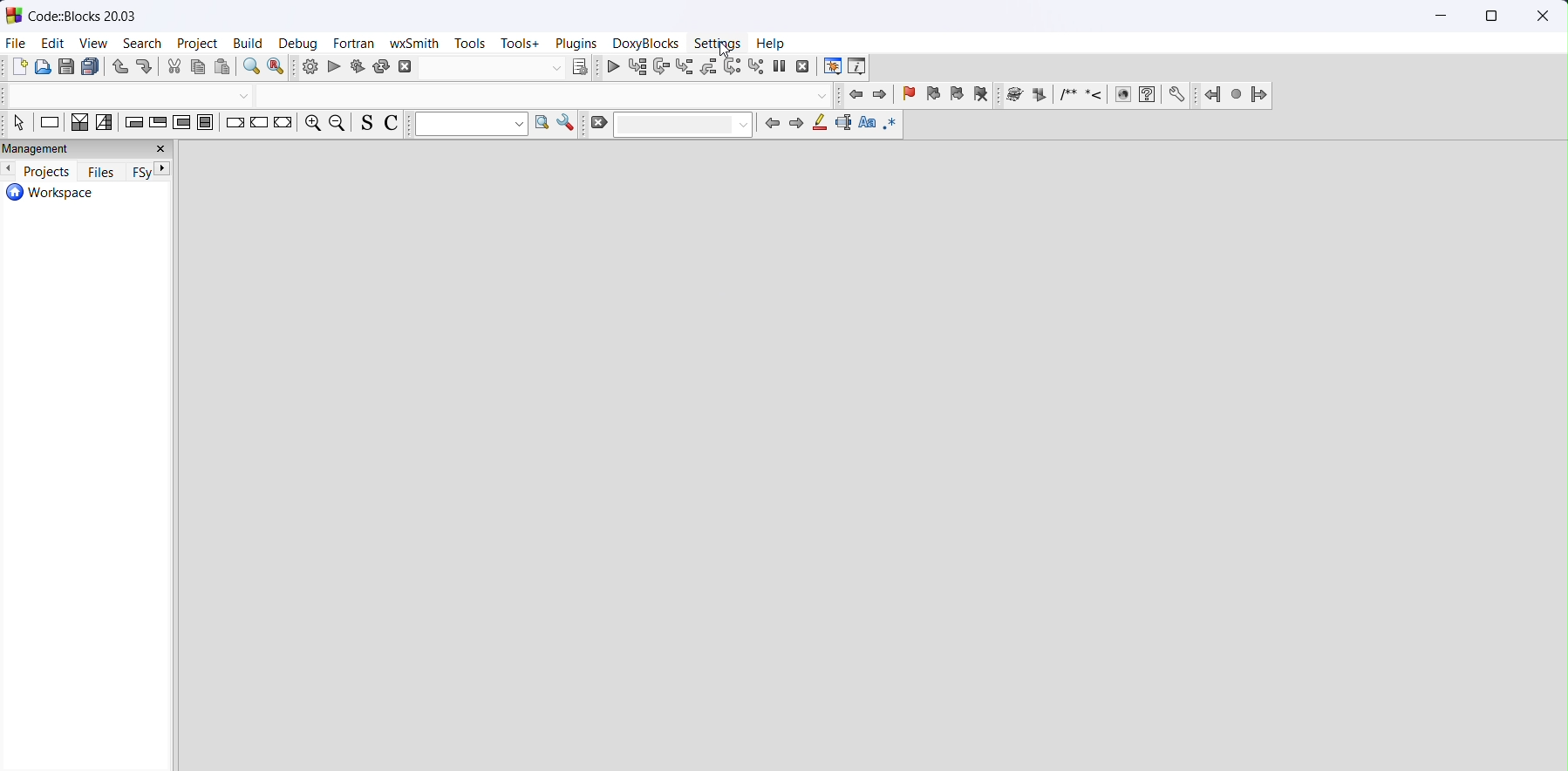 The image size is (1568, 771). I want to click on counting loop, so click(181, 124).